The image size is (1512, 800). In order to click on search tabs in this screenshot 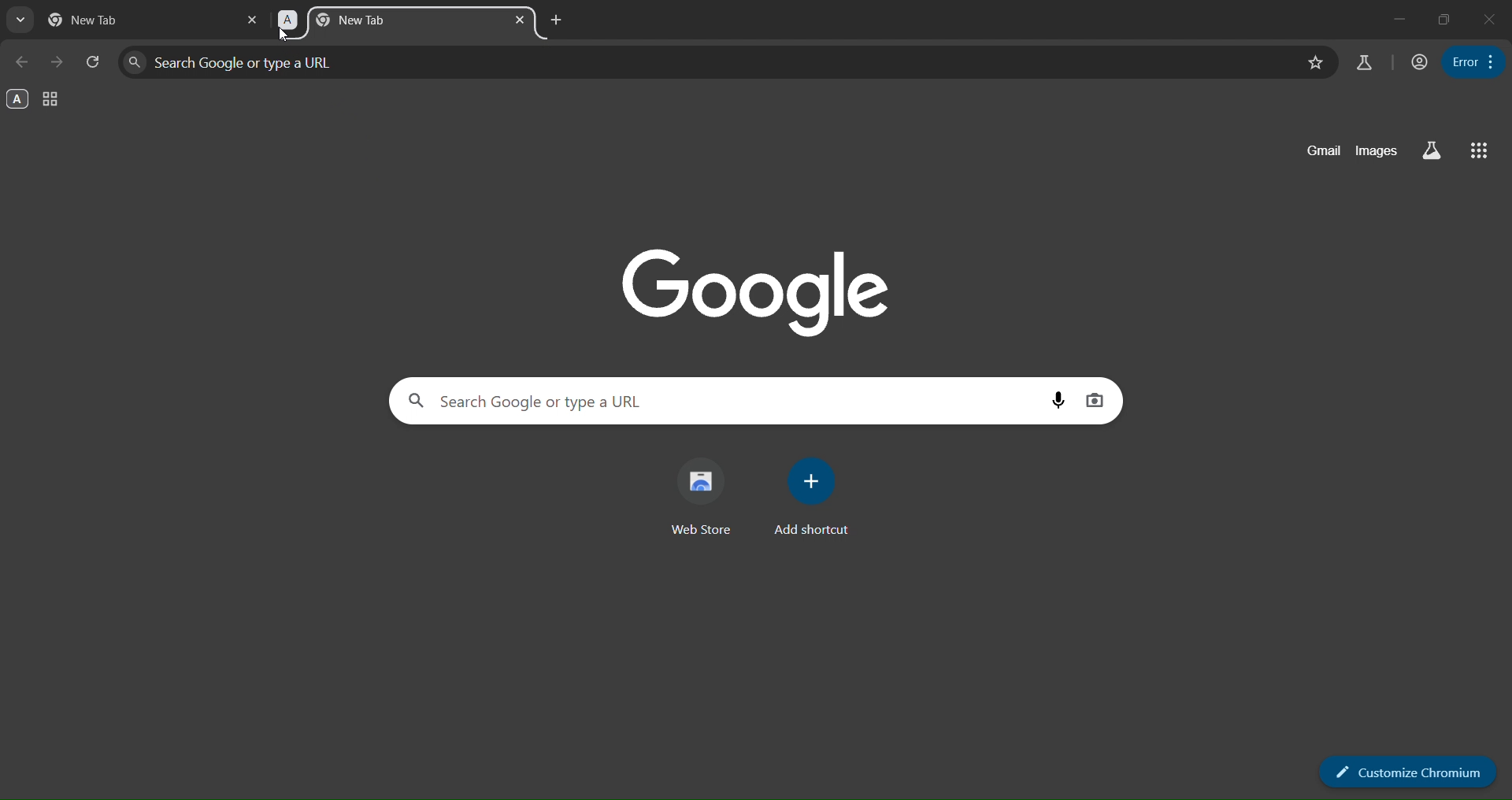, I will do `click(20, 22)`.